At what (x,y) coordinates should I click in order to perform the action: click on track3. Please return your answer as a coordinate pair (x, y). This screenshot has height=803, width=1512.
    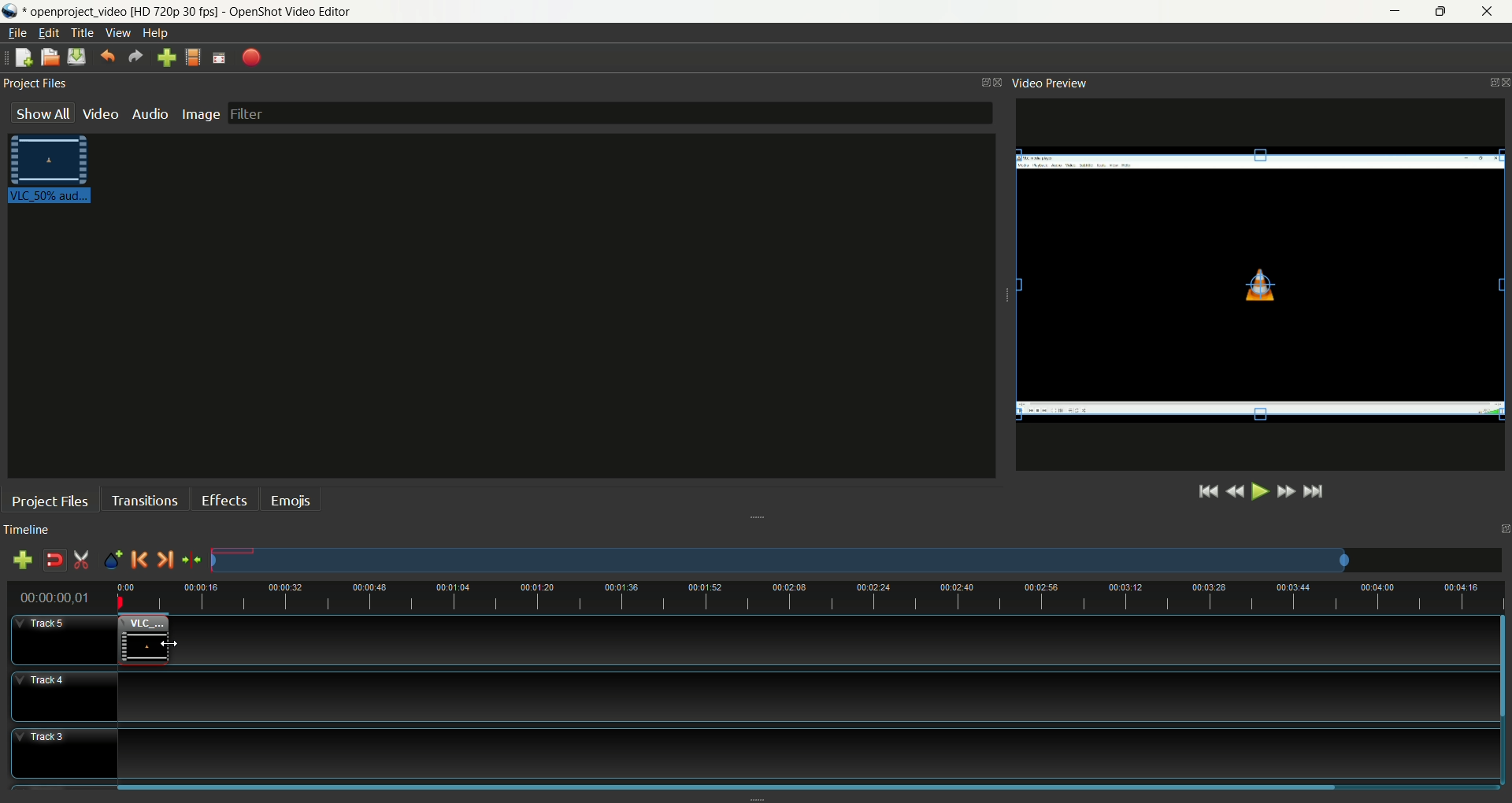
    Looking at the image, I should click on (63, 752).